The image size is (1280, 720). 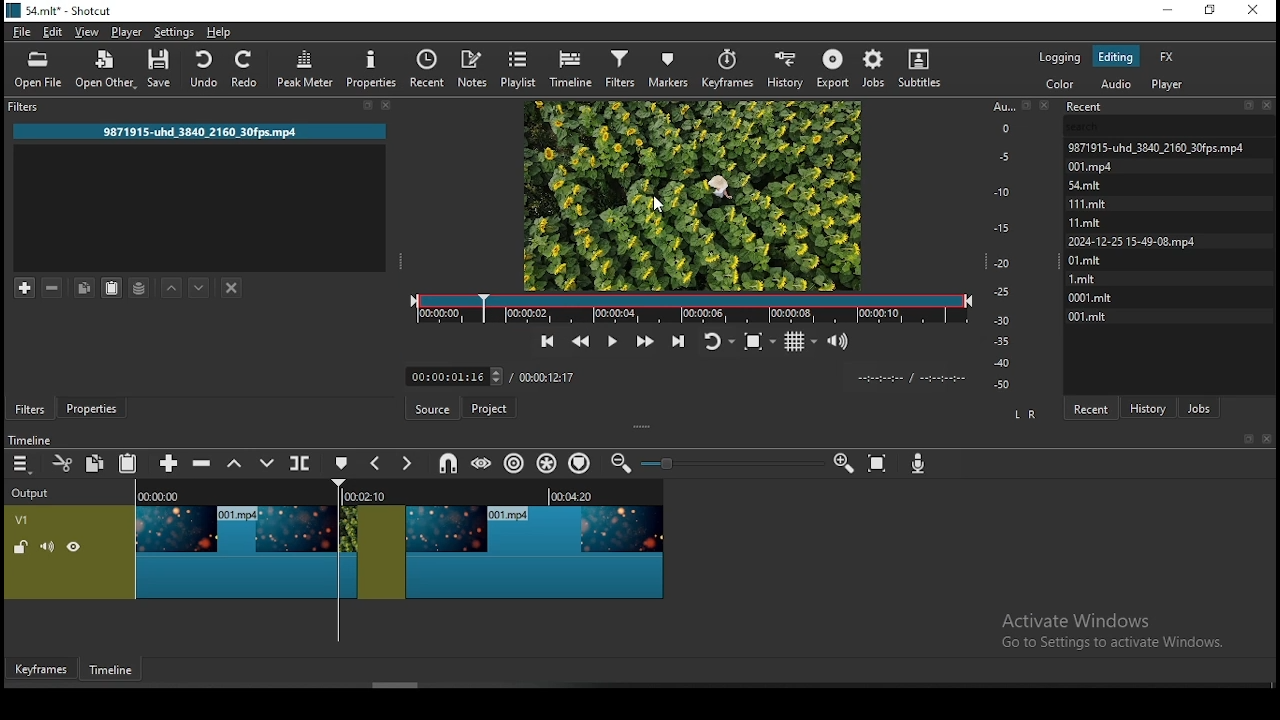 What do you see at coordinates (203, 68) in the screenshot?
I see `undo` at bounding box center [203, 68].